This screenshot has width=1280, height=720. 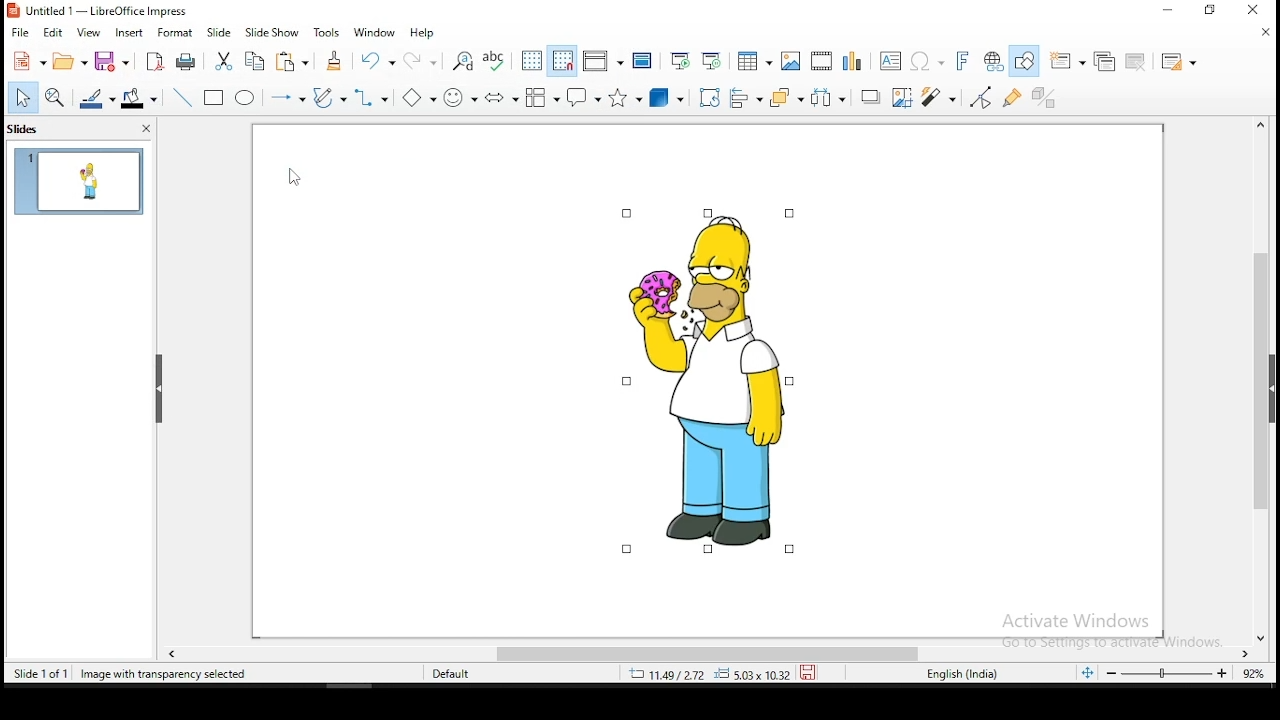 What do you see at coordinates (328, 32) in the screenshot?
I see `tools` at bounding box center [328, 32].